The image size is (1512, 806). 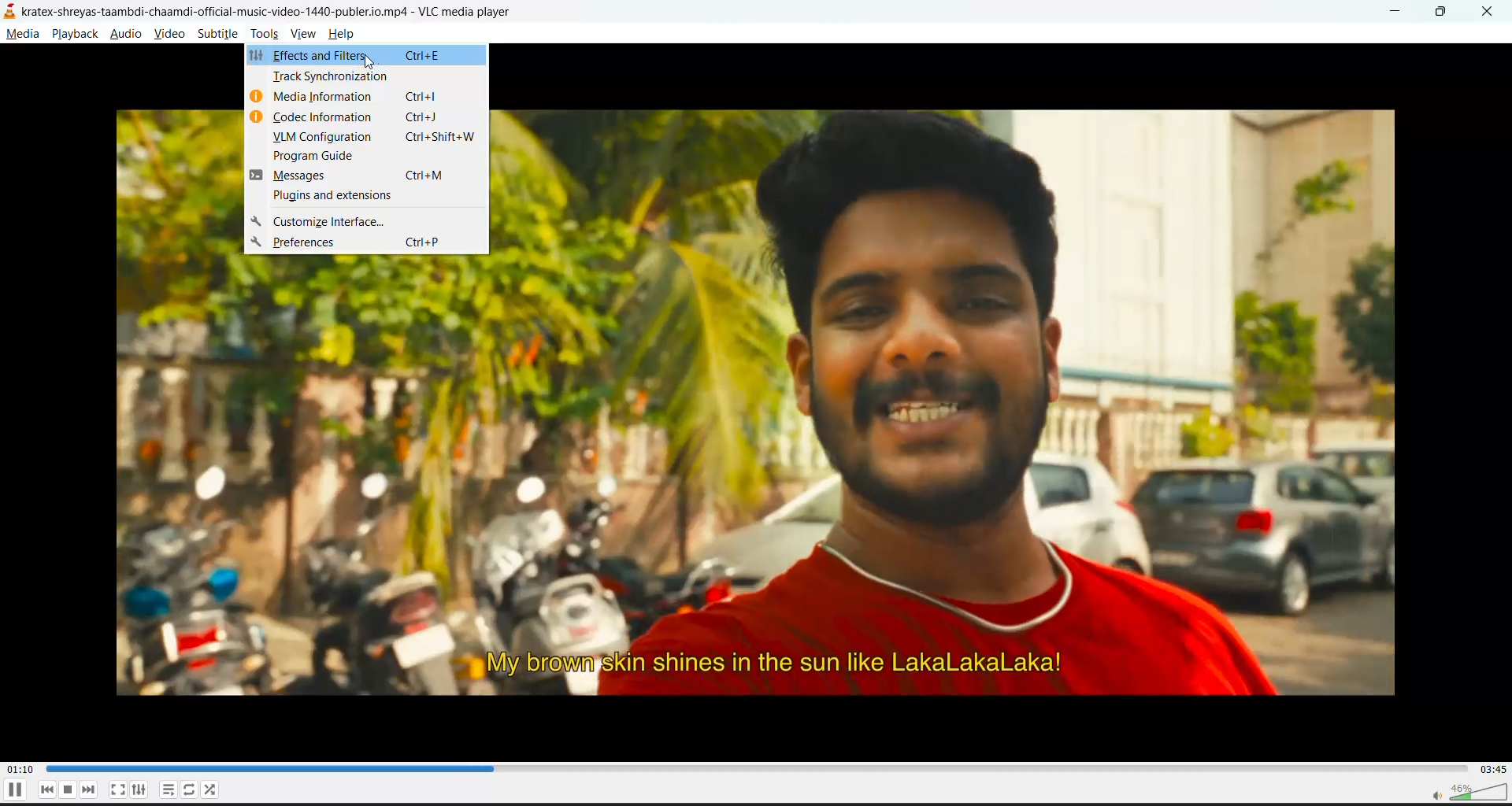 I want to click on settings, so click(x=139, y=790).